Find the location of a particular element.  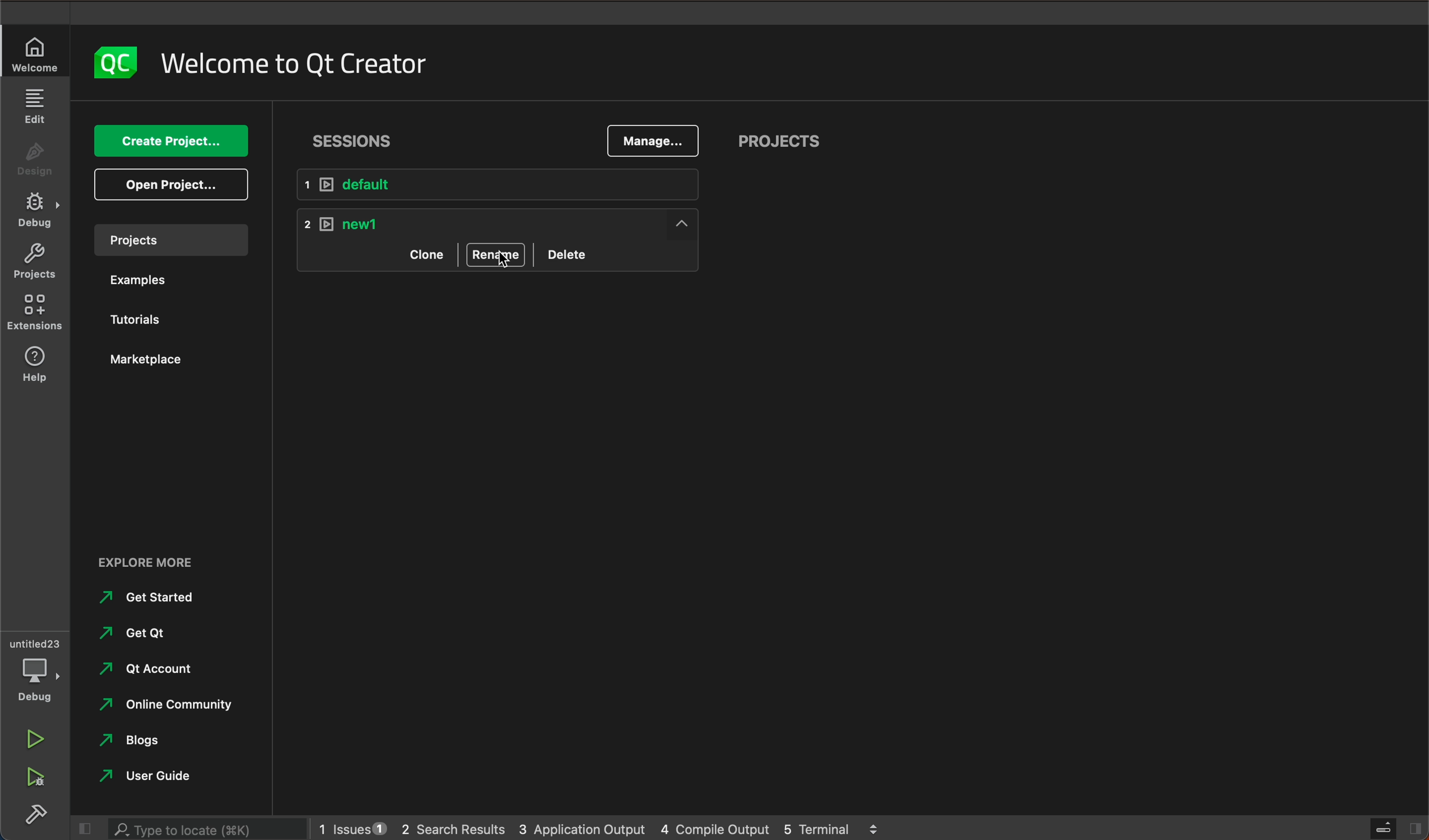

sessions is located at coordinates (358, 137).